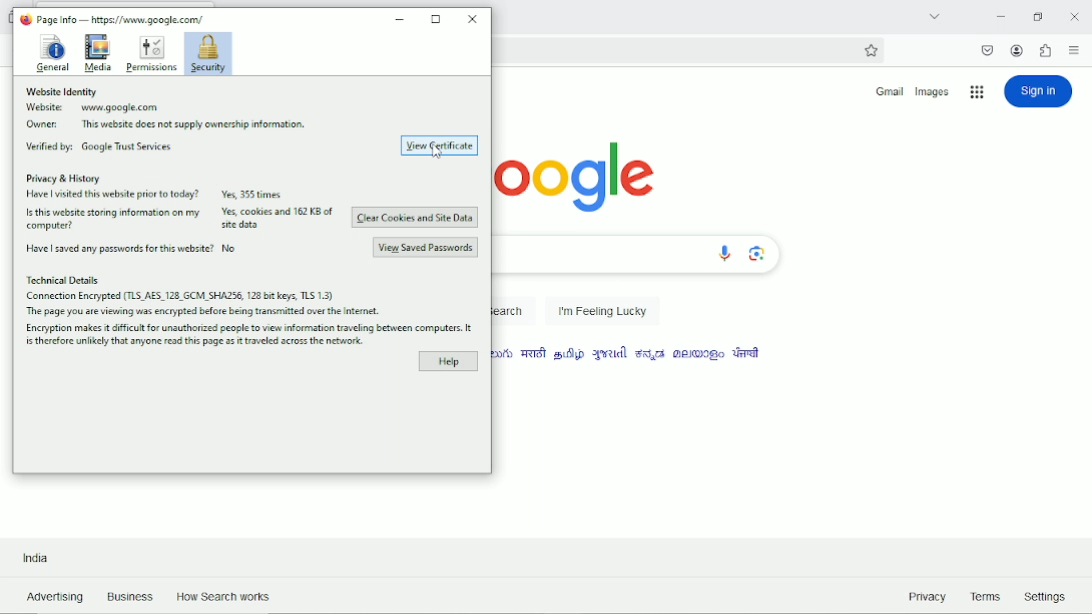 The height and width of the screenshot is (614, 1092). Describe the element at coordinates (121, 109) in the screenshot. I see `www.google.com` at that location.